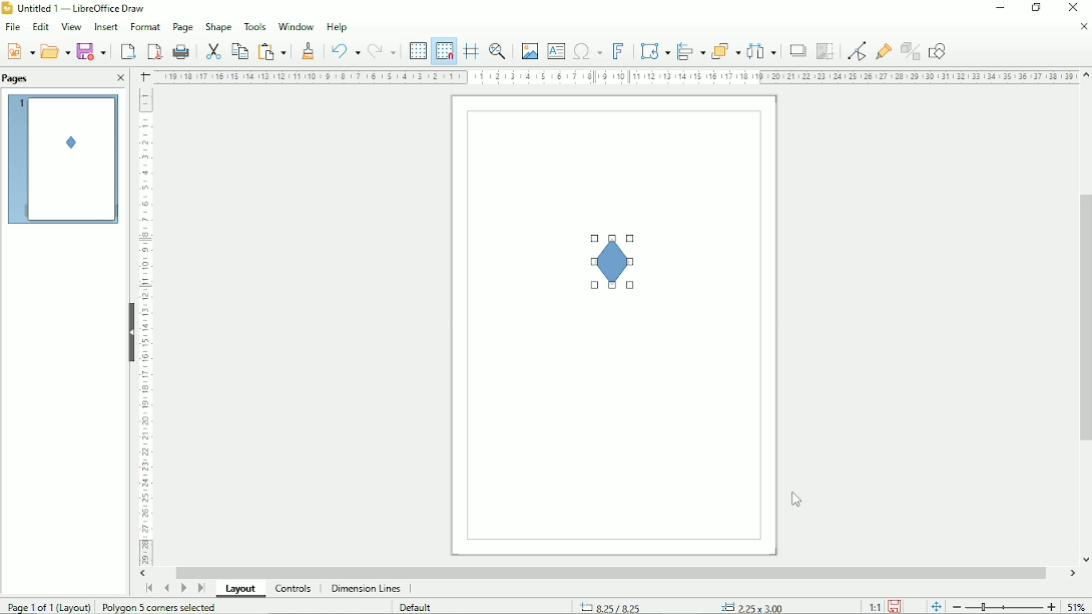 The width and height of the screenshot is (1092, 614). What do you see at coordinates (239, 589) in the screenshot?
I see `Layout` at bounding box center [239, 589].